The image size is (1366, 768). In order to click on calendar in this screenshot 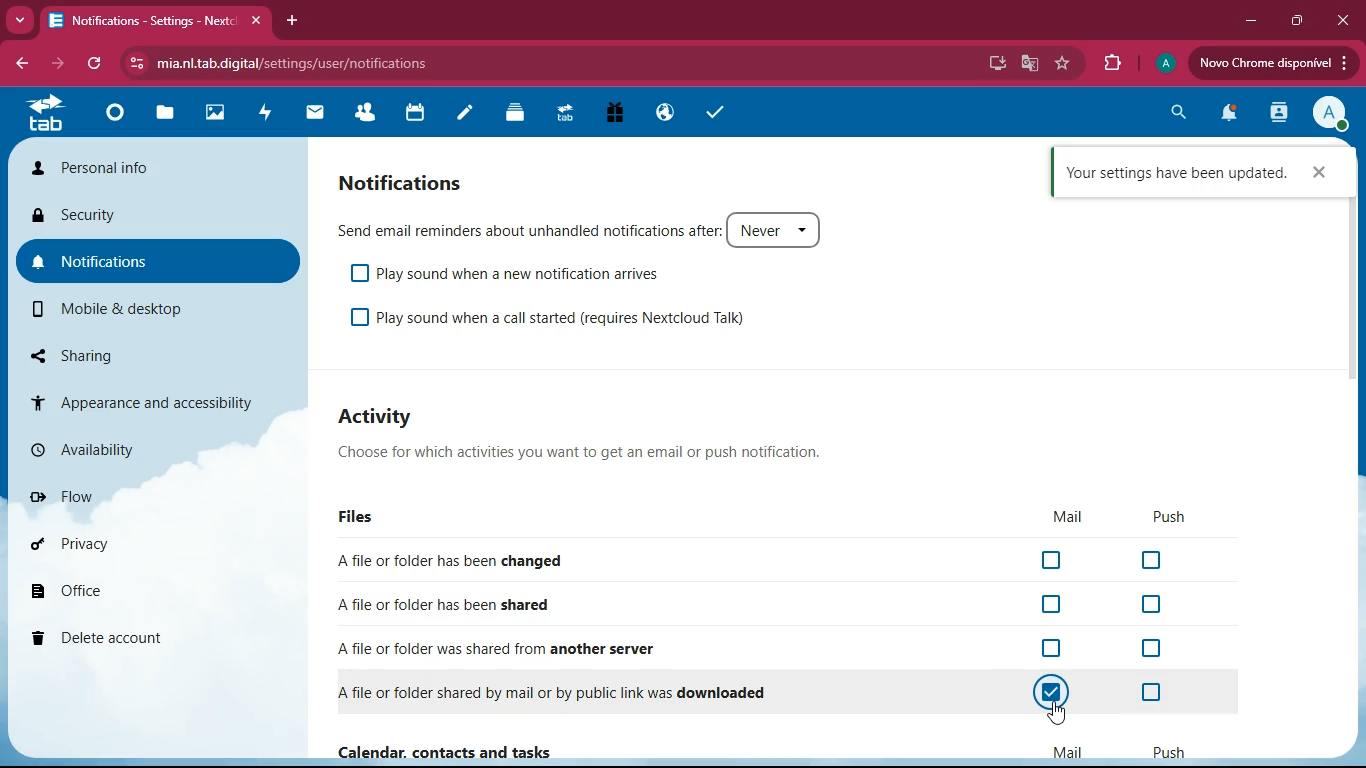, I will do `click(411, 114)`.